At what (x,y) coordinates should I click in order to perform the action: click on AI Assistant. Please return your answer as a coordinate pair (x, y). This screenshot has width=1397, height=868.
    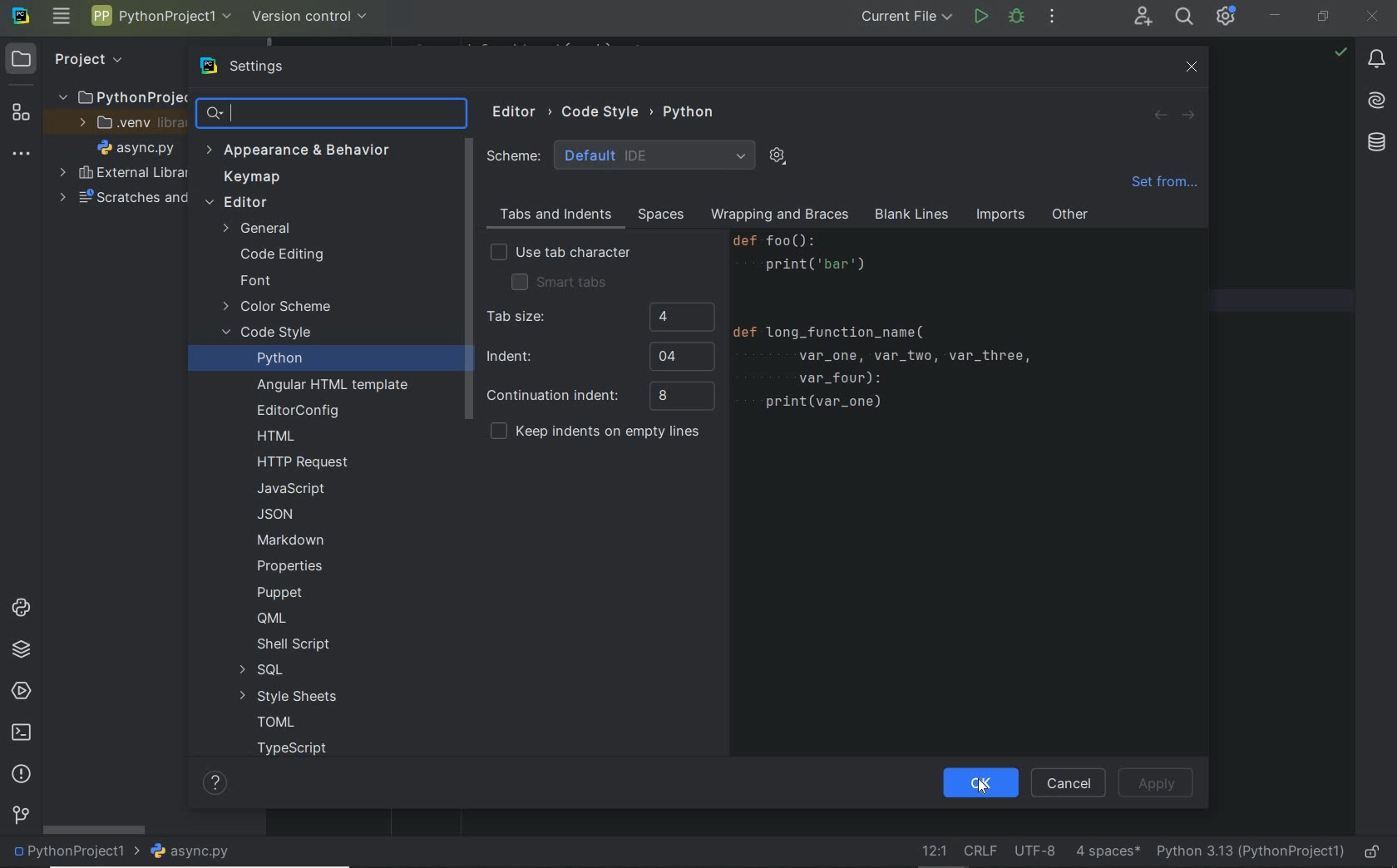
    Looking at the image, I should click on (1372, 101).